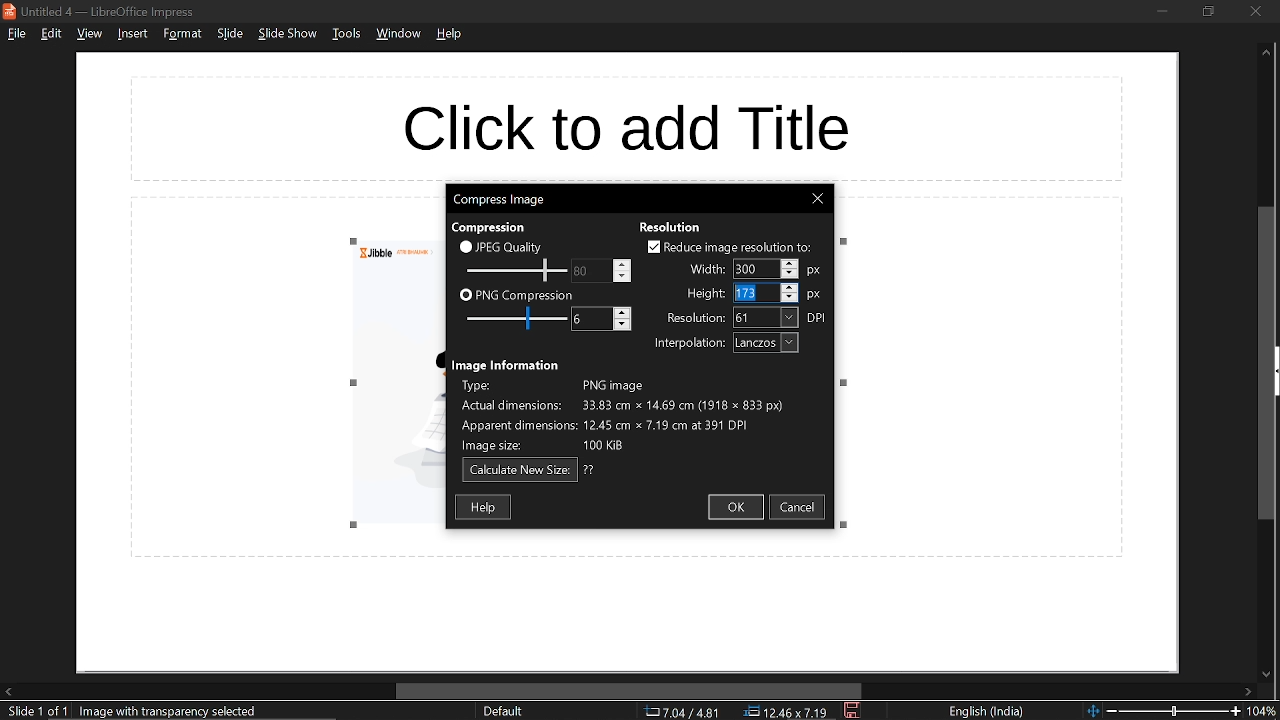  I want to click on move down, so click(1264, 672).